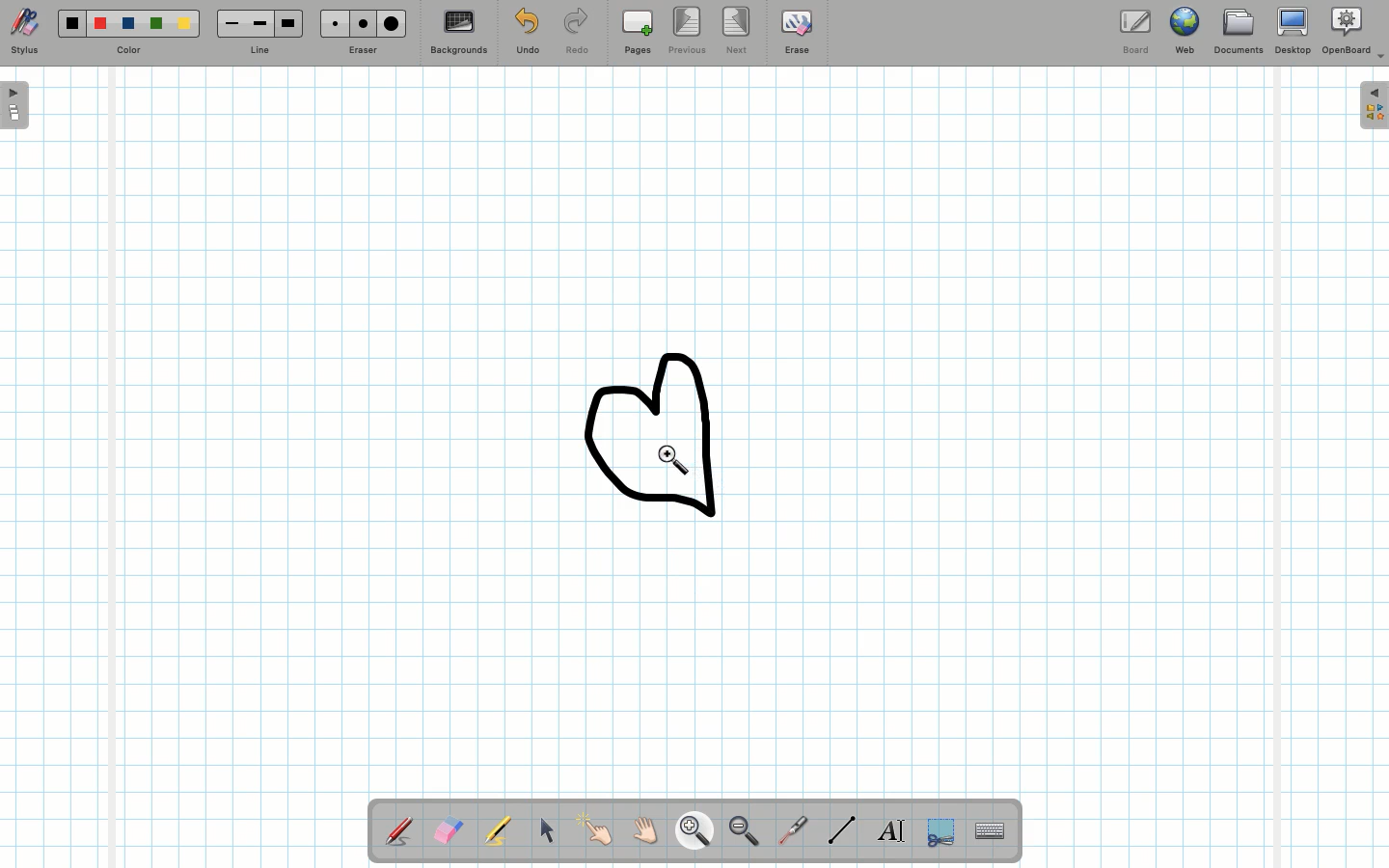 The height and width of the screenshot is (868, 1389). What do you see at coordinates (498, 832) in the screenshot?
I see `Highlighter` at bounding box center [498, 832].